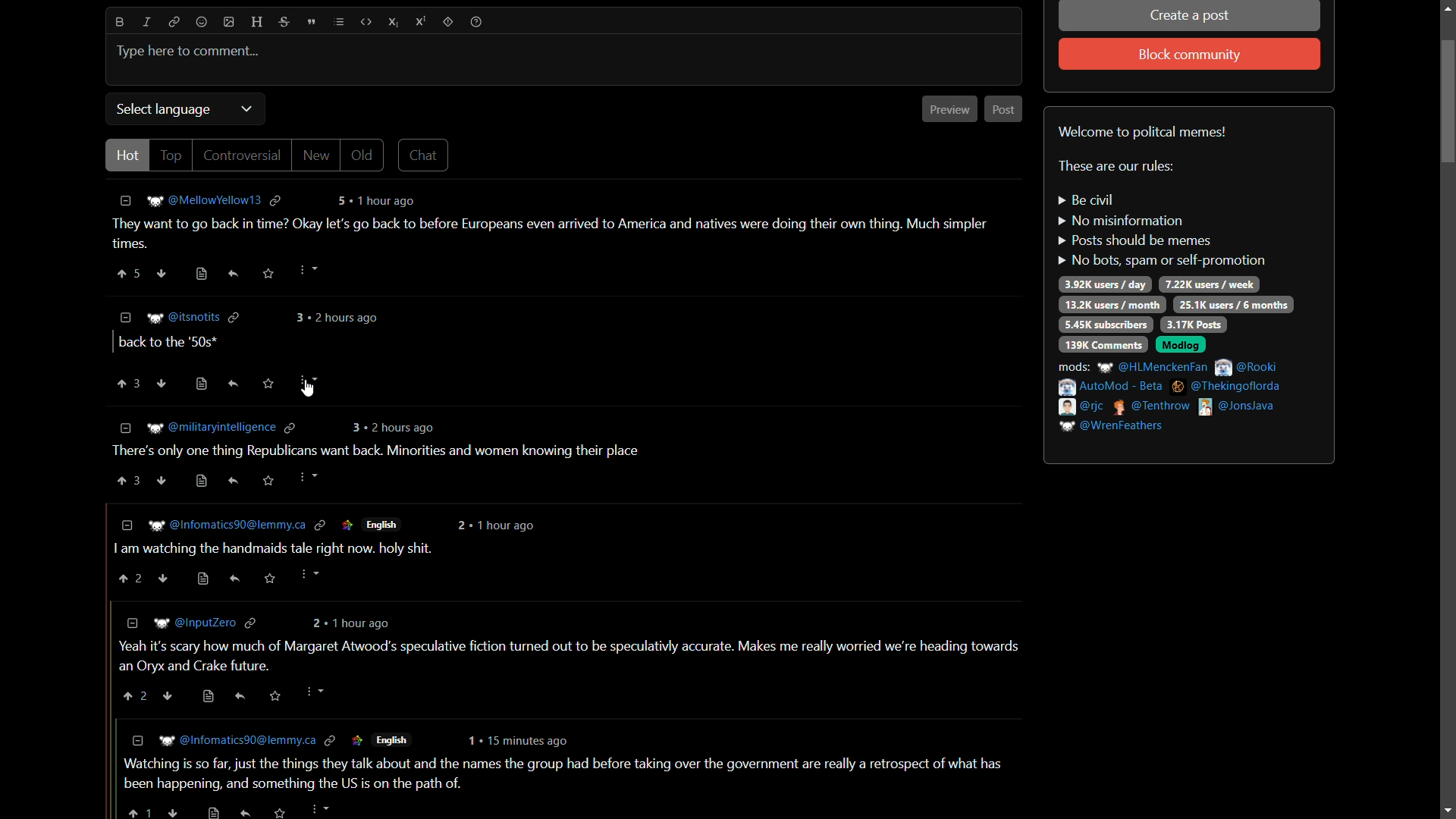  Describe the element at coordinates (557, 236) in the screenshot. I see `comment-1` at that location.